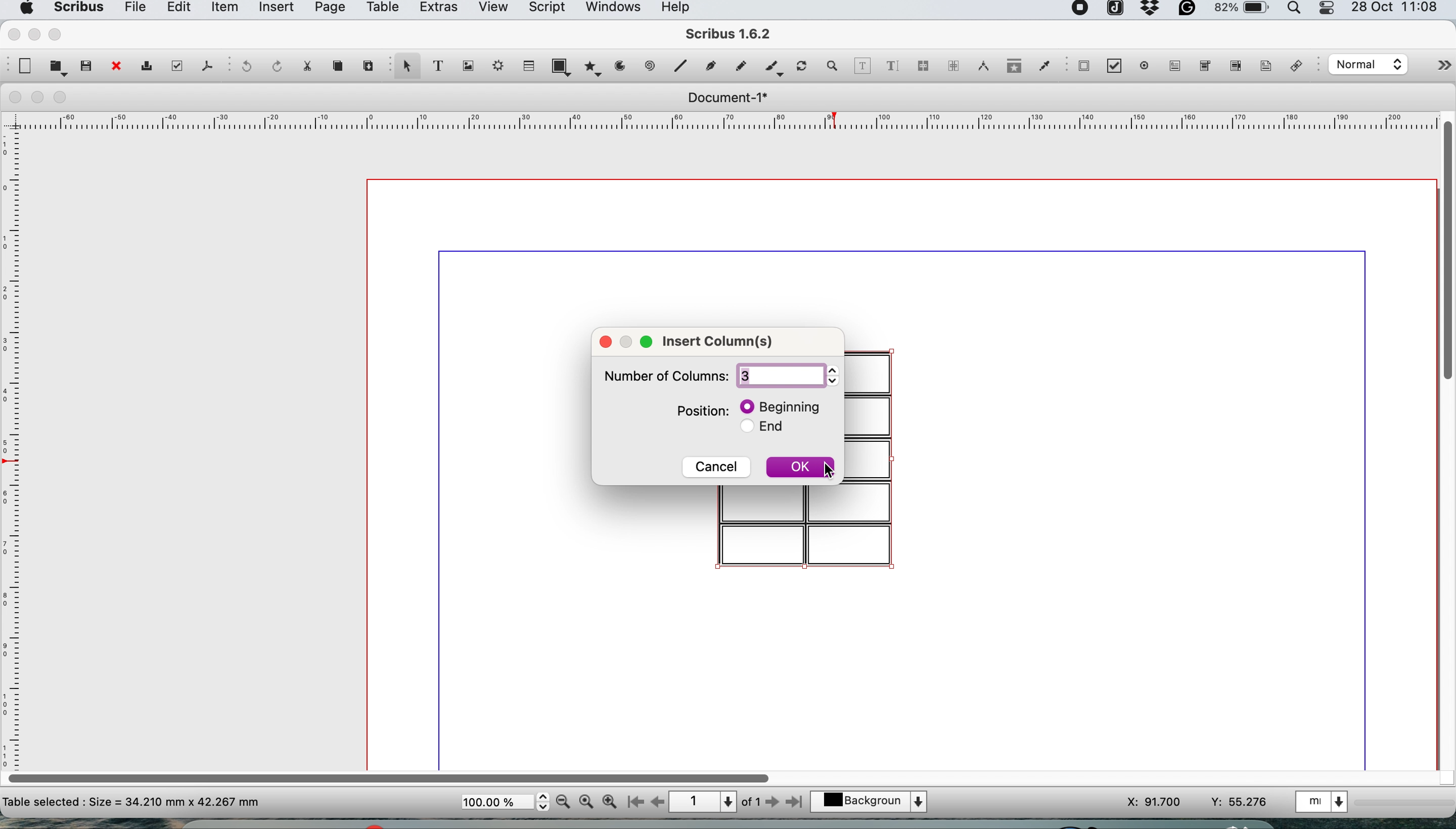 This screenshot has width=1456, height=829. I want to click on text annotation, so click(1264, 65).